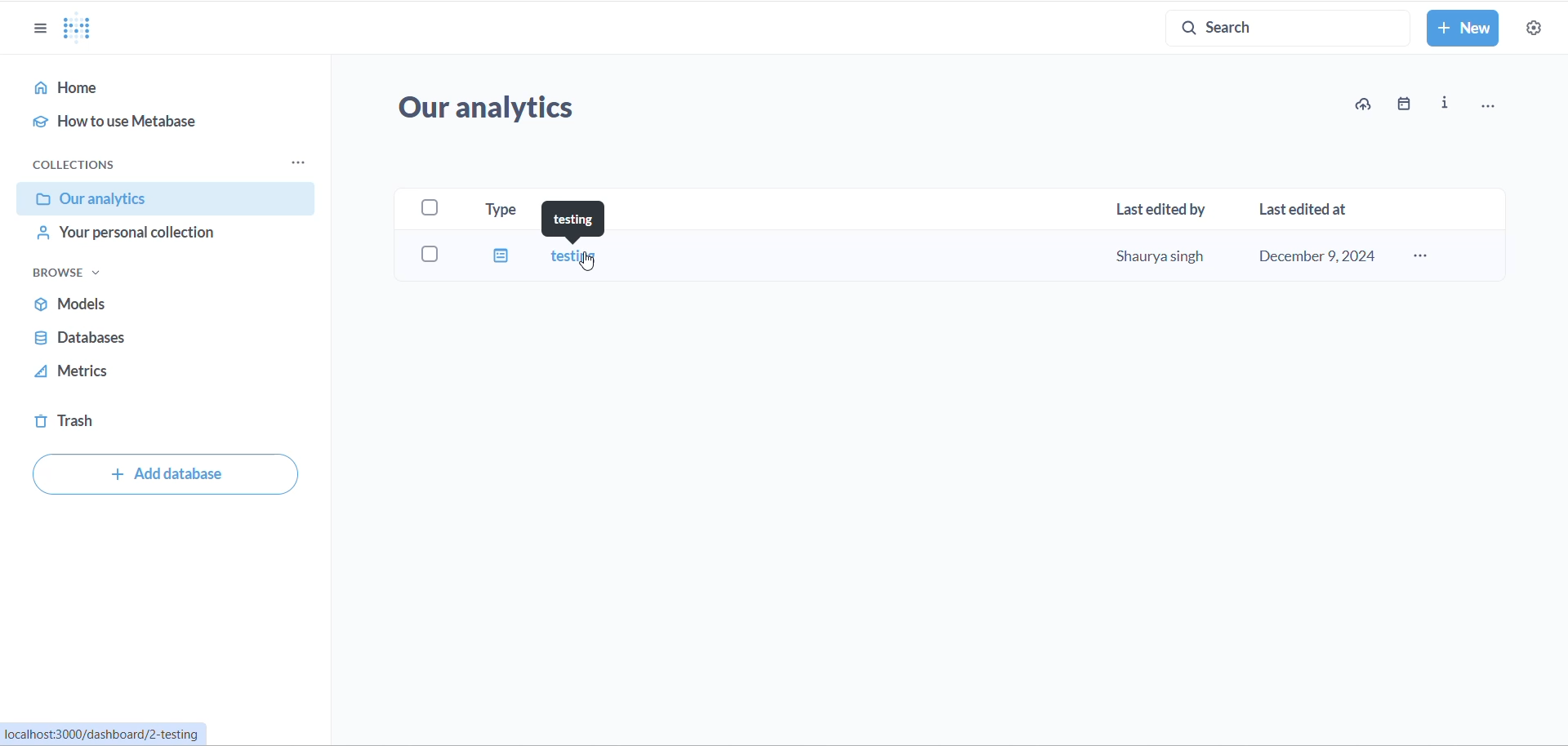 This screenshot has height=746, width=1568. Describe the element at coordinates (151, 305) in the screenshot. I see `models` at that location.